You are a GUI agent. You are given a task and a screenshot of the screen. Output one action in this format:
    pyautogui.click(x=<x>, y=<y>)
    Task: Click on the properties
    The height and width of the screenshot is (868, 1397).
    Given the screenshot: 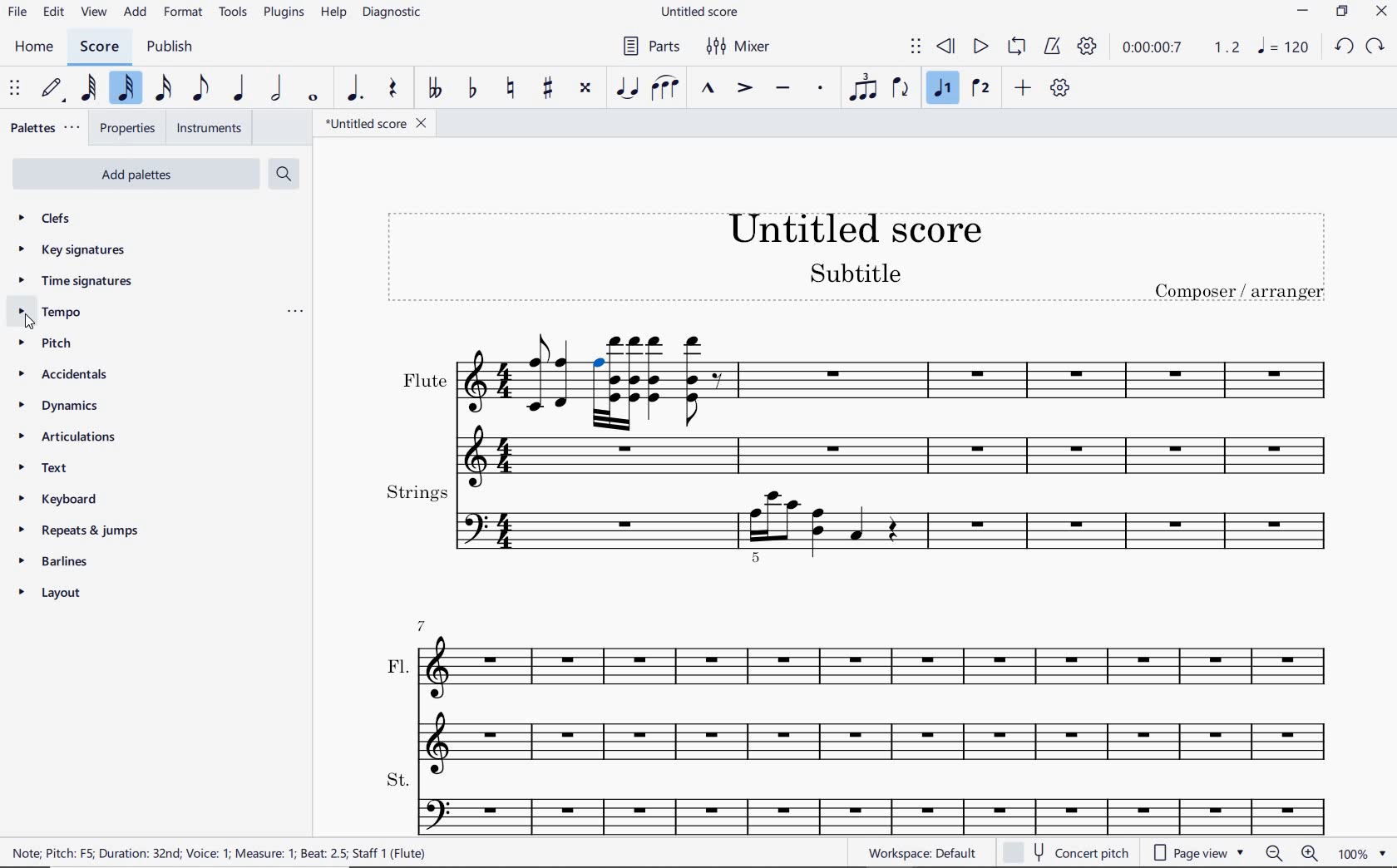 What is the action you would take?
    pyautogui.click(x=126, y=128)
    